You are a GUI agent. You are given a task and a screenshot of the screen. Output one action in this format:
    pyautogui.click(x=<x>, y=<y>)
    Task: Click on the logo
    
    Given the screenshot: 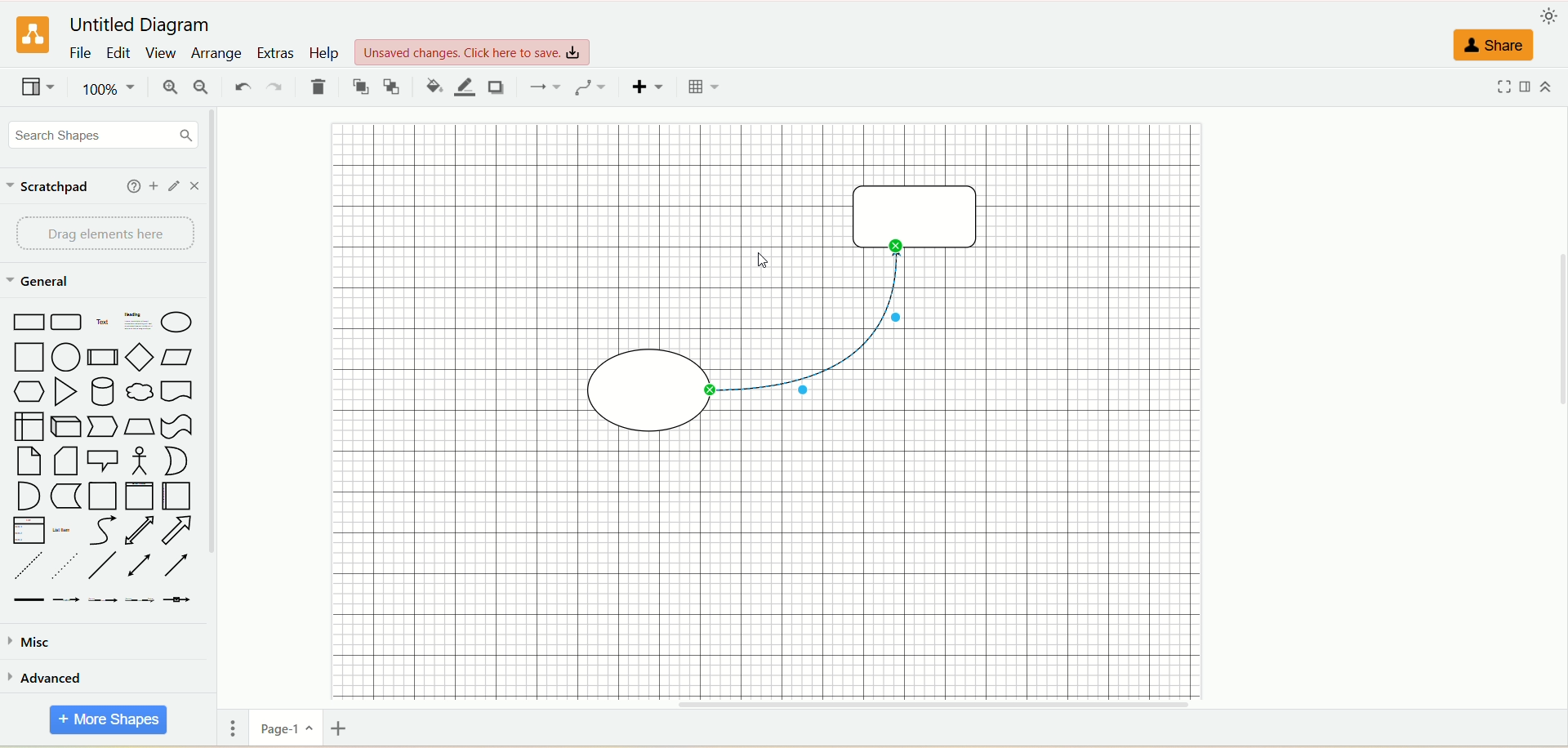 What is the action you would take?
    pyautogui.click(x=30, y=36)
    